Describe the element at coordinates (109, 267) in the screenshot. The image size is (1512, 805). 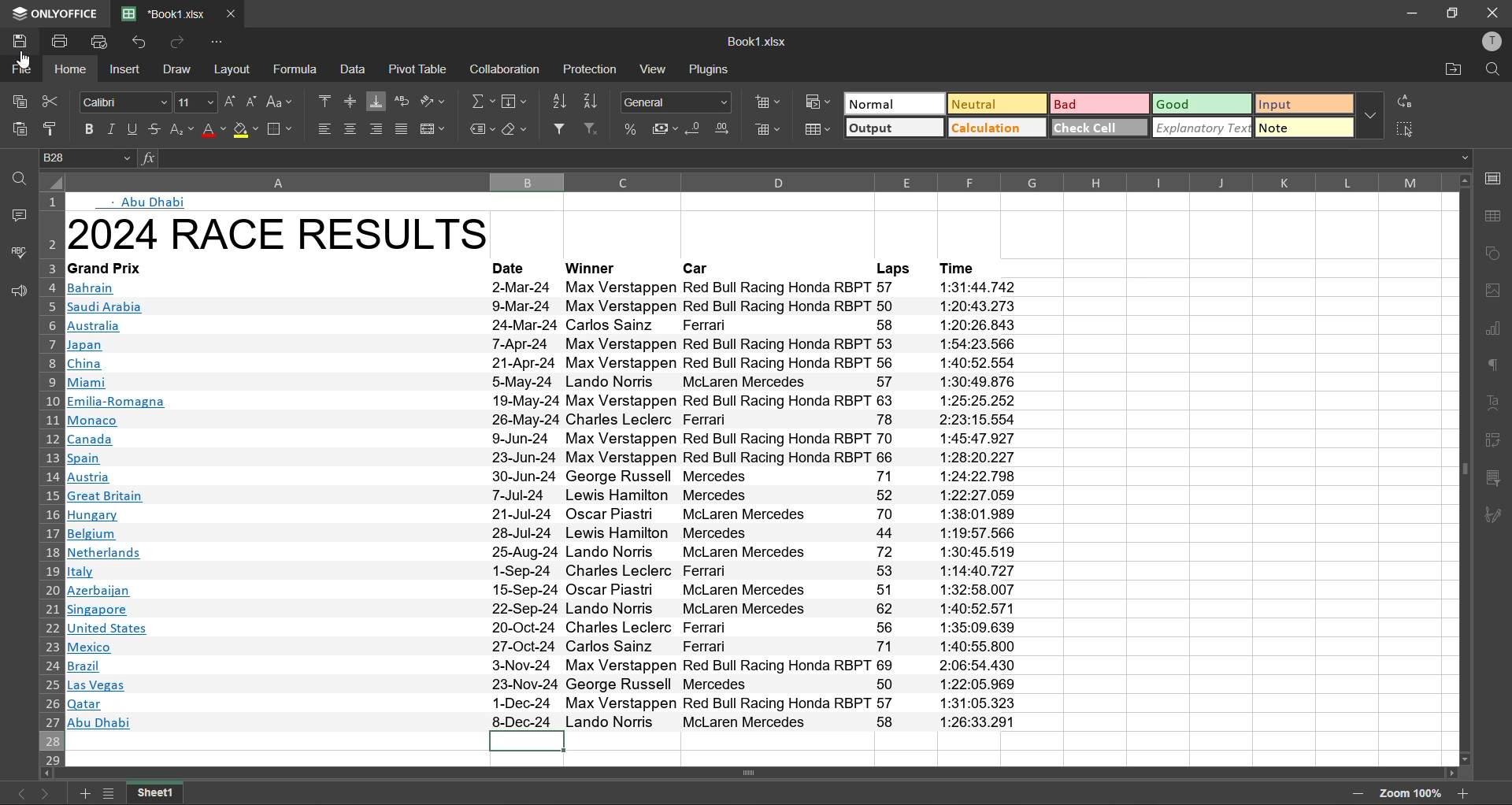
I see `Grand Prix` at that location.